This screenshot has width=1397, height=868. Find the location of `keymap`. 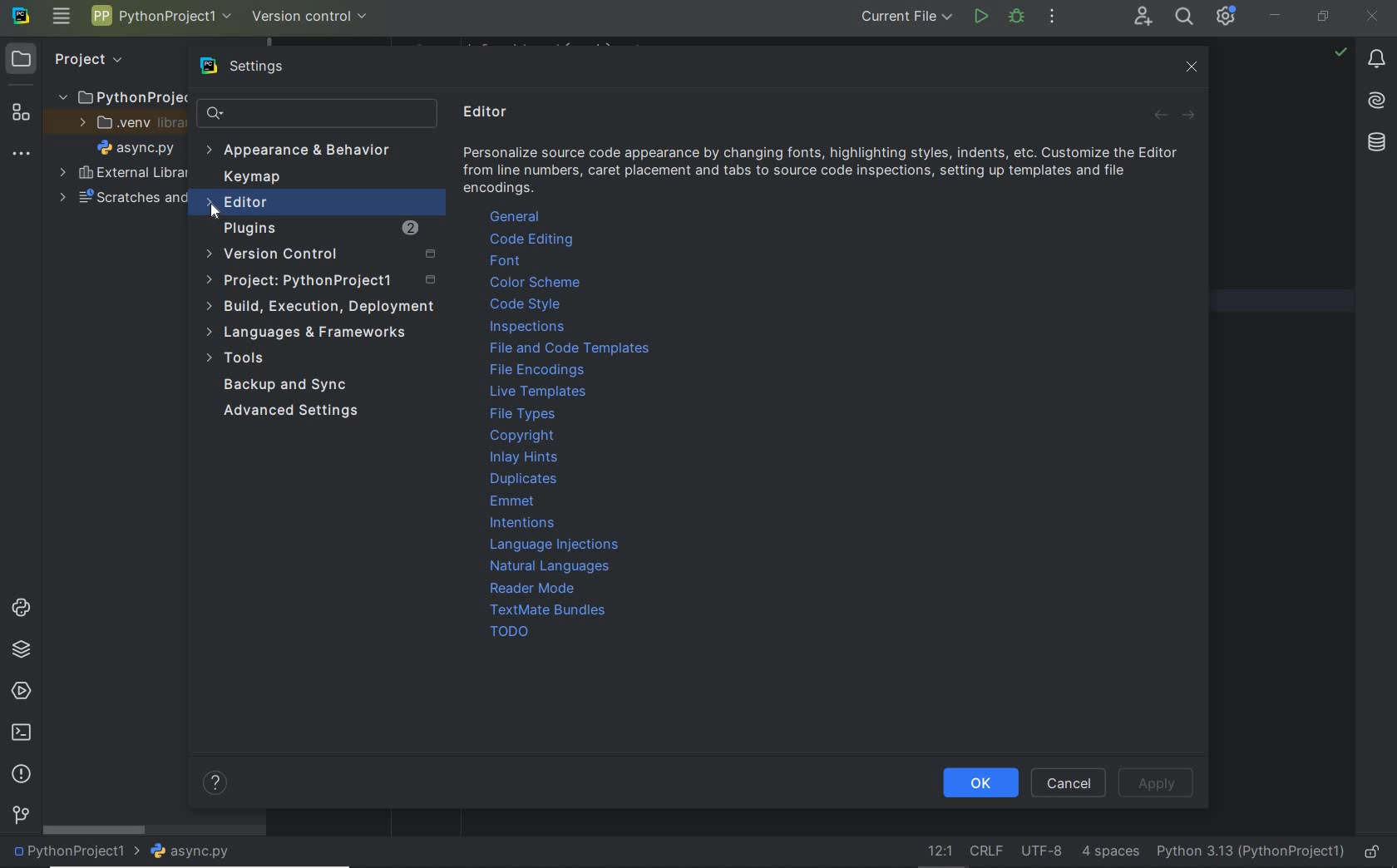

keymap is located at coordinates (254, 179).